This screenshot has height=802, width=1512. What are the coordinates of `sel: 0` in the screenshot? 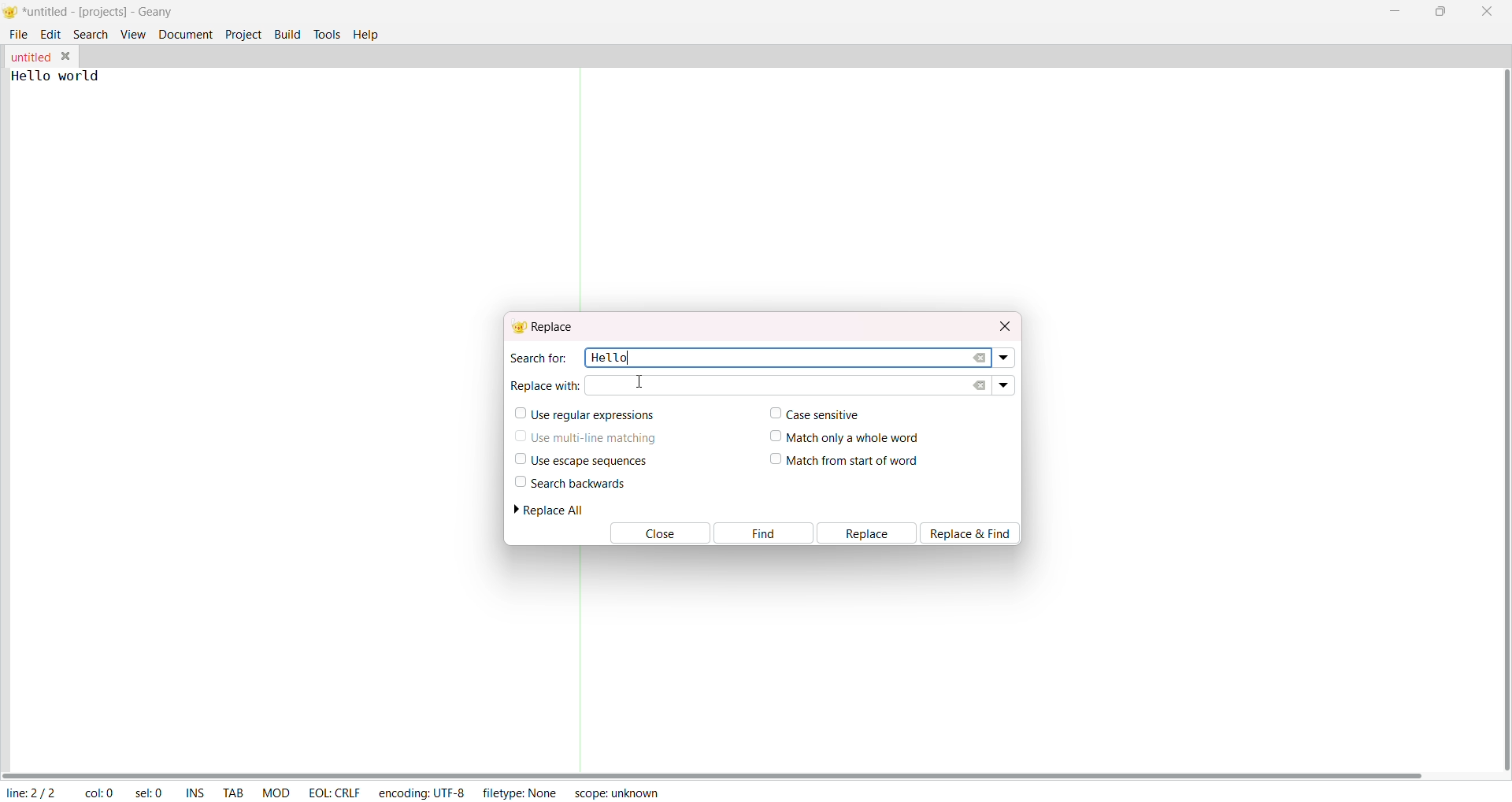 It's located at (150, 793).